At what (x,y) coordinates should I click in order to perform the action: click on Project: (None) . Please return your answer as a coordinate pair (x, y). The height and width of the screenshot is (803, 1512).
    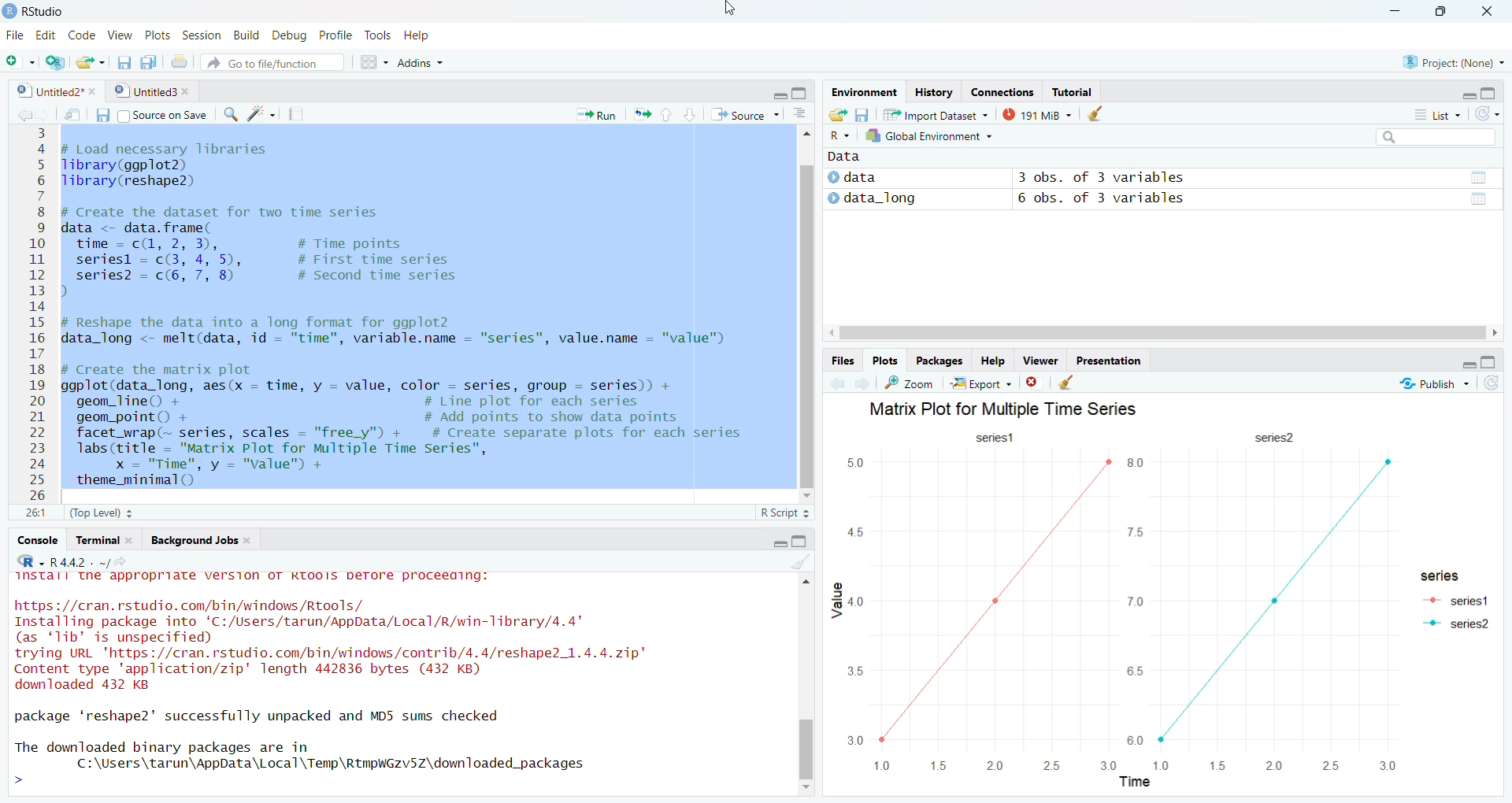
    Looking at the image, I should click on (1453, 61).